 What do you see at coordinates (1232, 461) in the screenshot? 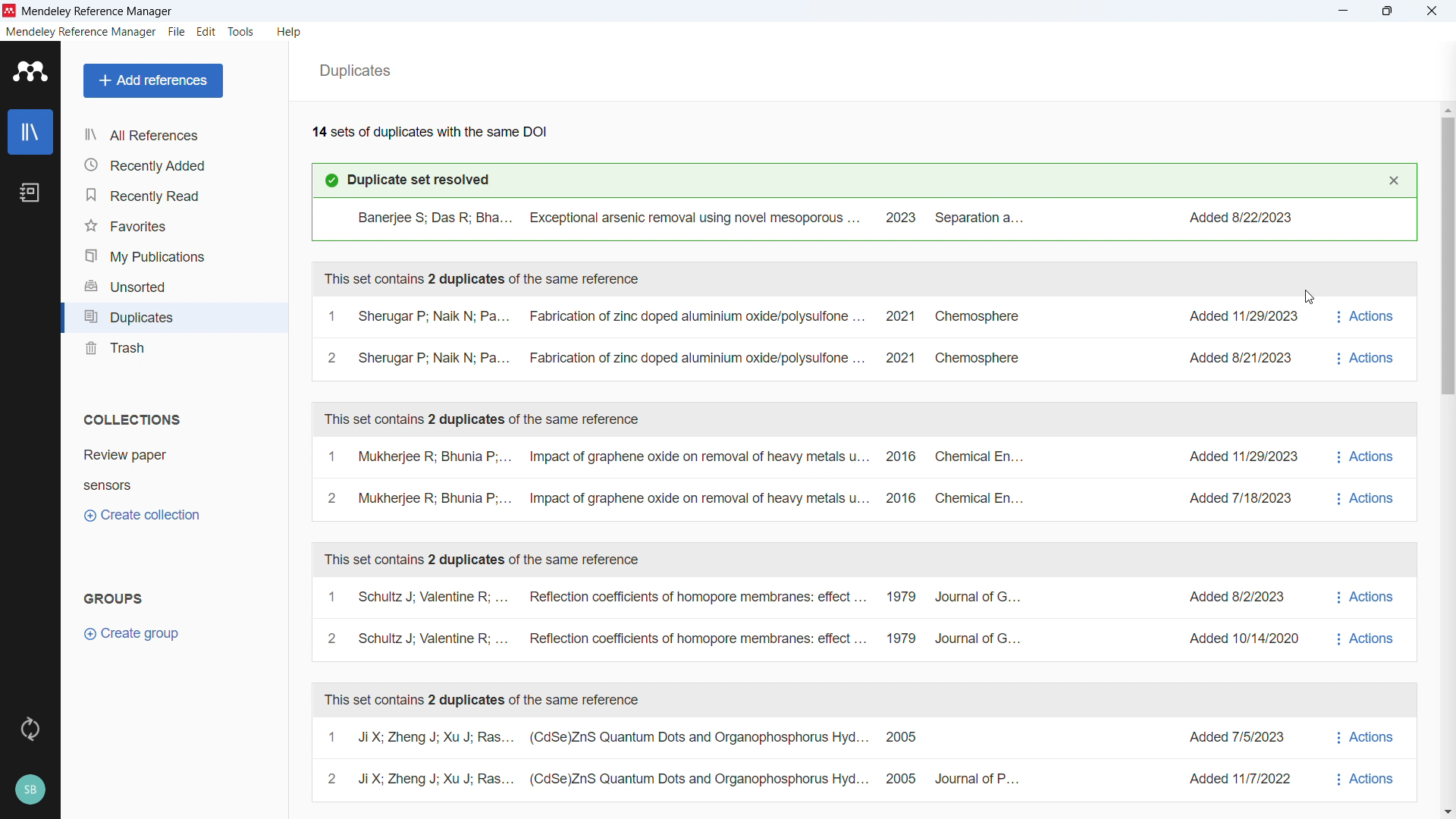
I see `Added 11/29/2023` at bounding box center [1232, 461].